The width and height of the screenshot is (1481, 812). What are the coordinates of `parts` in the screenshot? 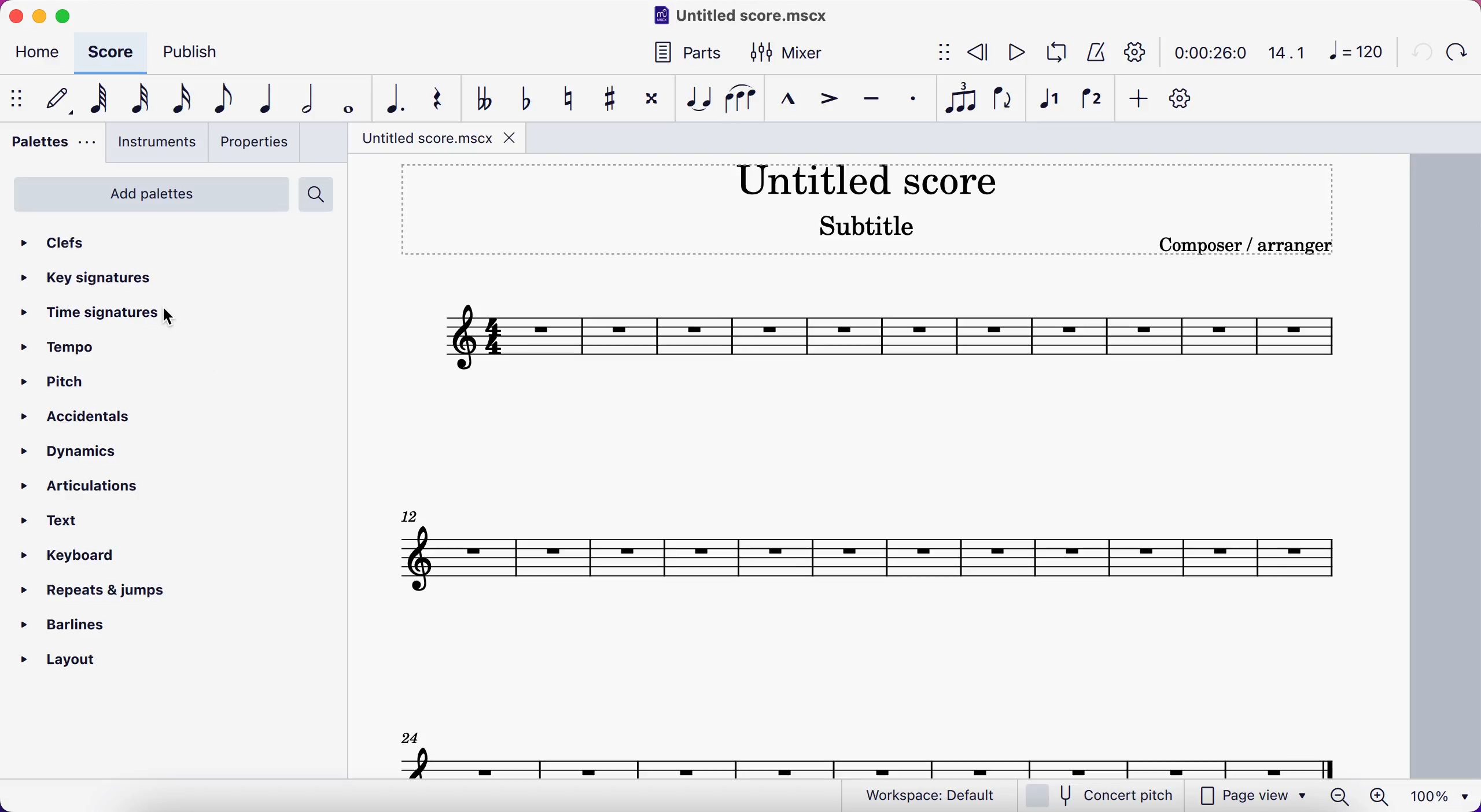 It's located at (684, 52).